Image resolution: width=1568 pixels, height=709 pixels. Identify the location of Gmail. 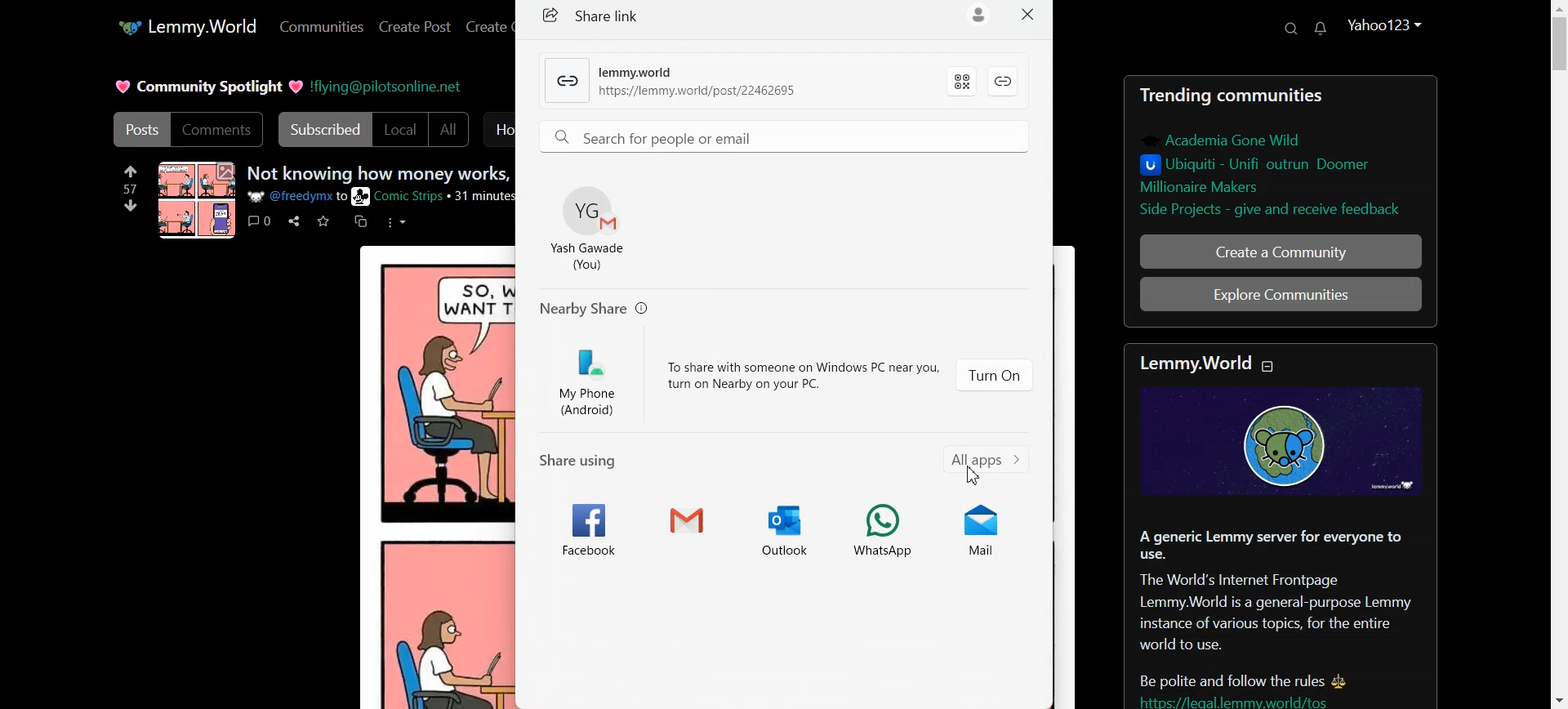
(685, 526).